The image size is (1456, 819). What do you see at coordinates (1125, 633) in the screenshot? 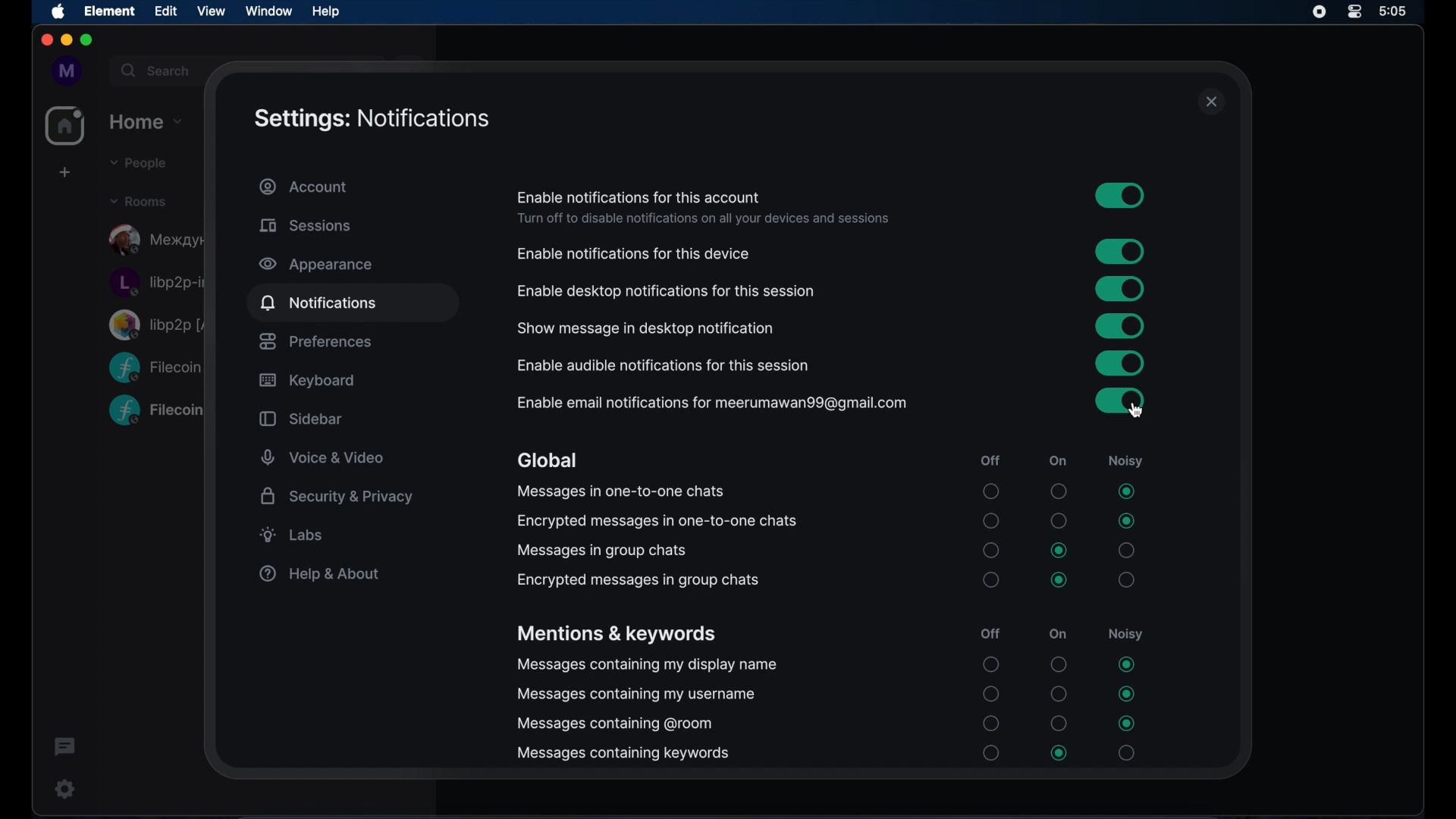
I see `noisy` at bounding box center [1125, 633].